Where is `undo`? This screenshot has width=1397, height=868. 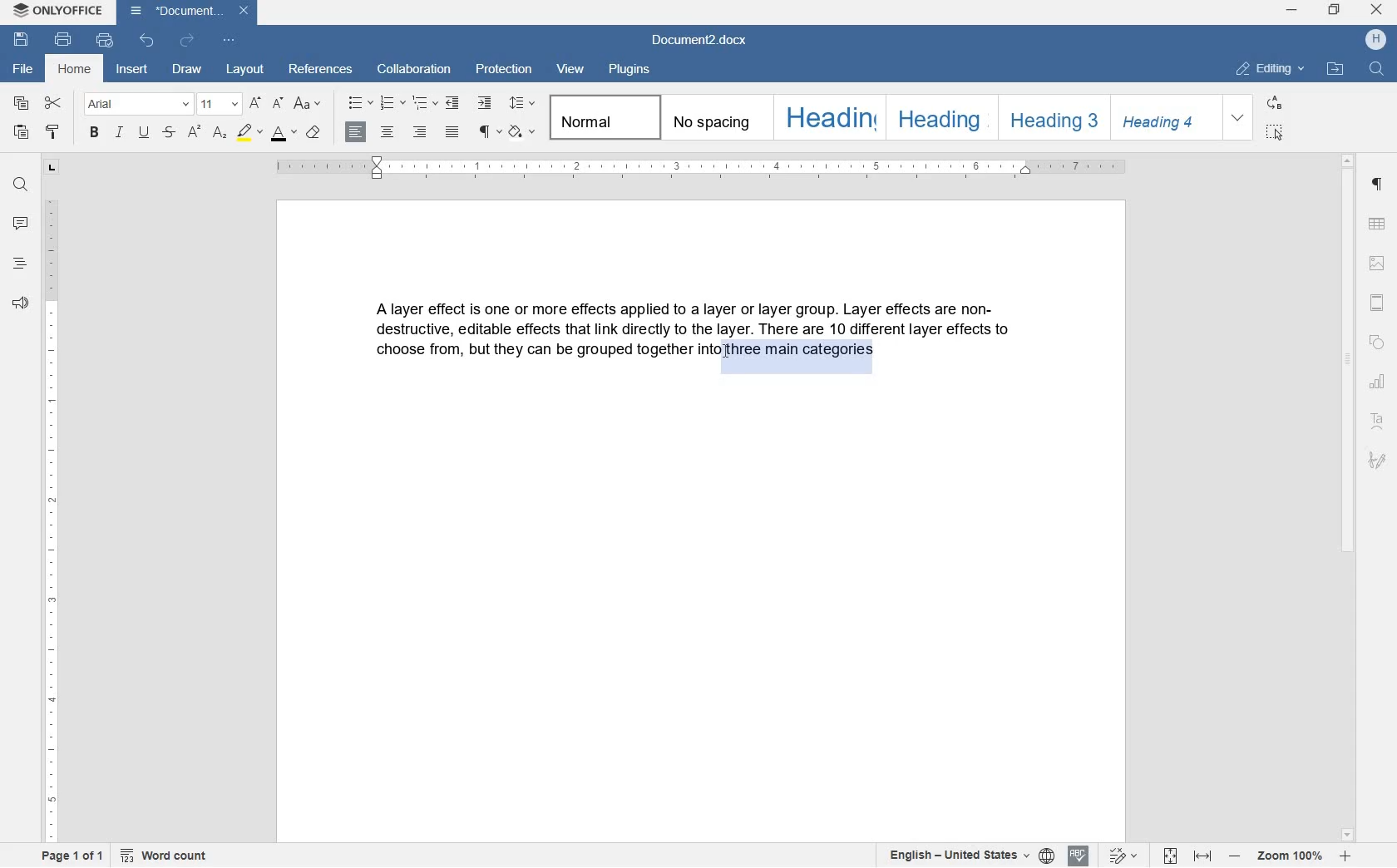 undo is located at coordinates (148, 42).